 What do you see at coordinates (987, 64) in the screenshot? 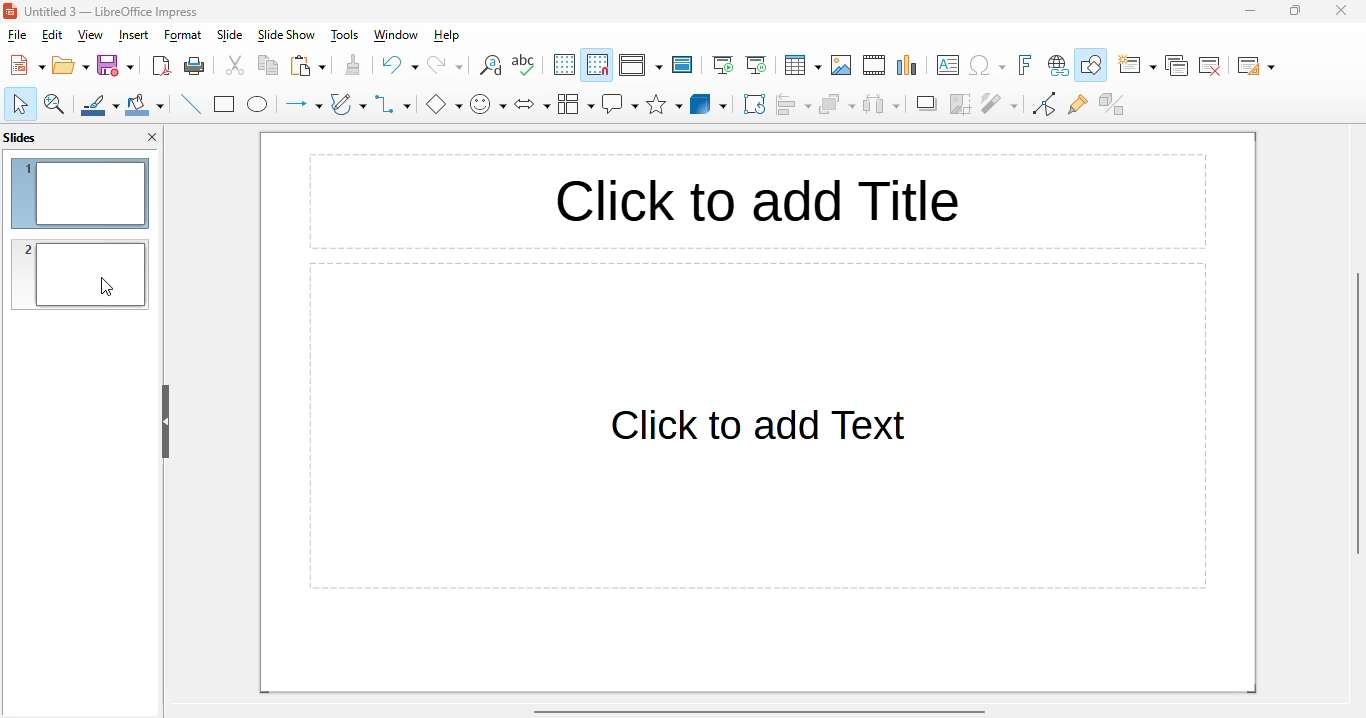
I see `insert special characters` at bounding box center [987, 64].